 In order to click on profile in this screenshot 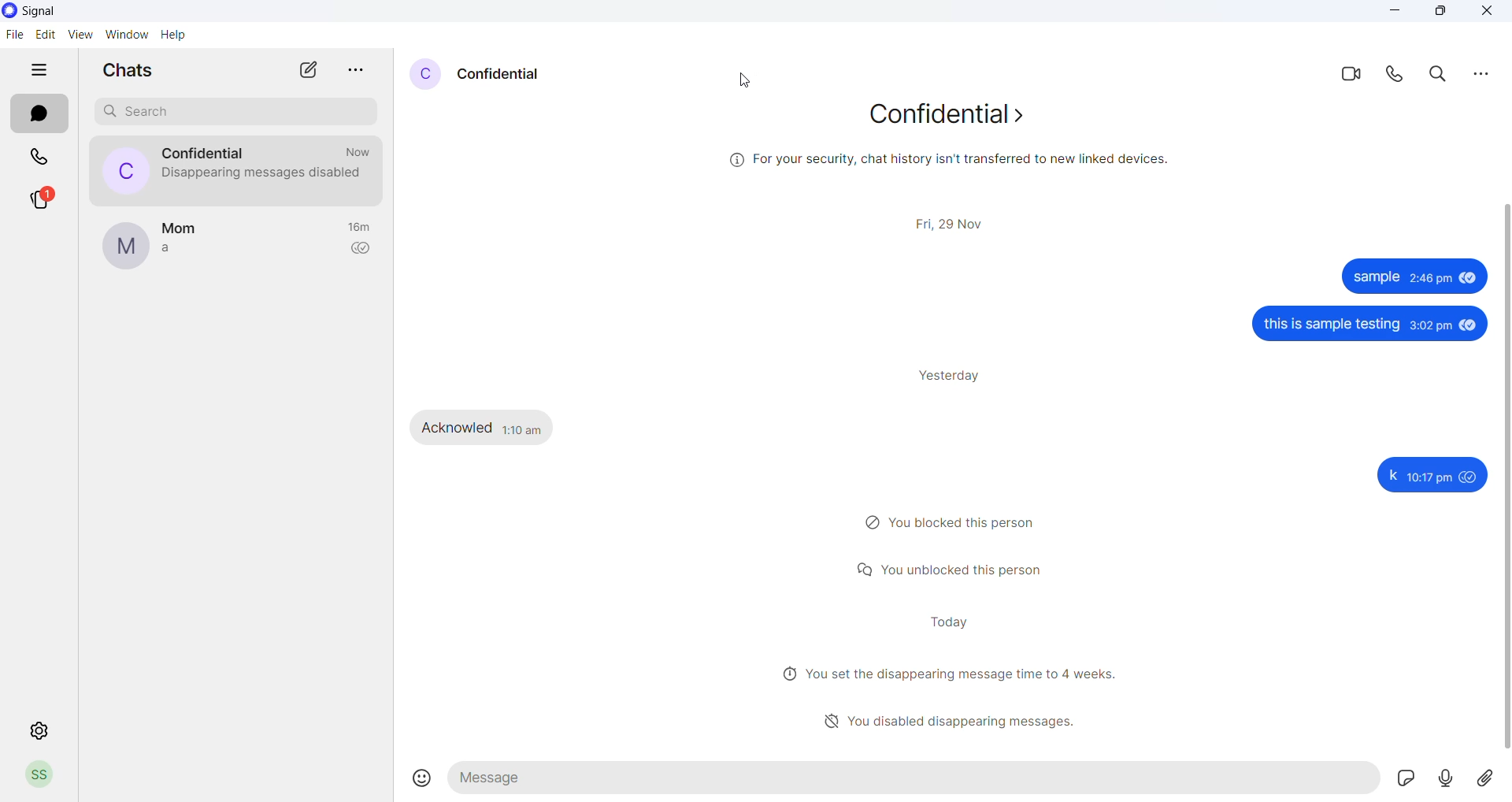, I will do `click(46, 776)`.